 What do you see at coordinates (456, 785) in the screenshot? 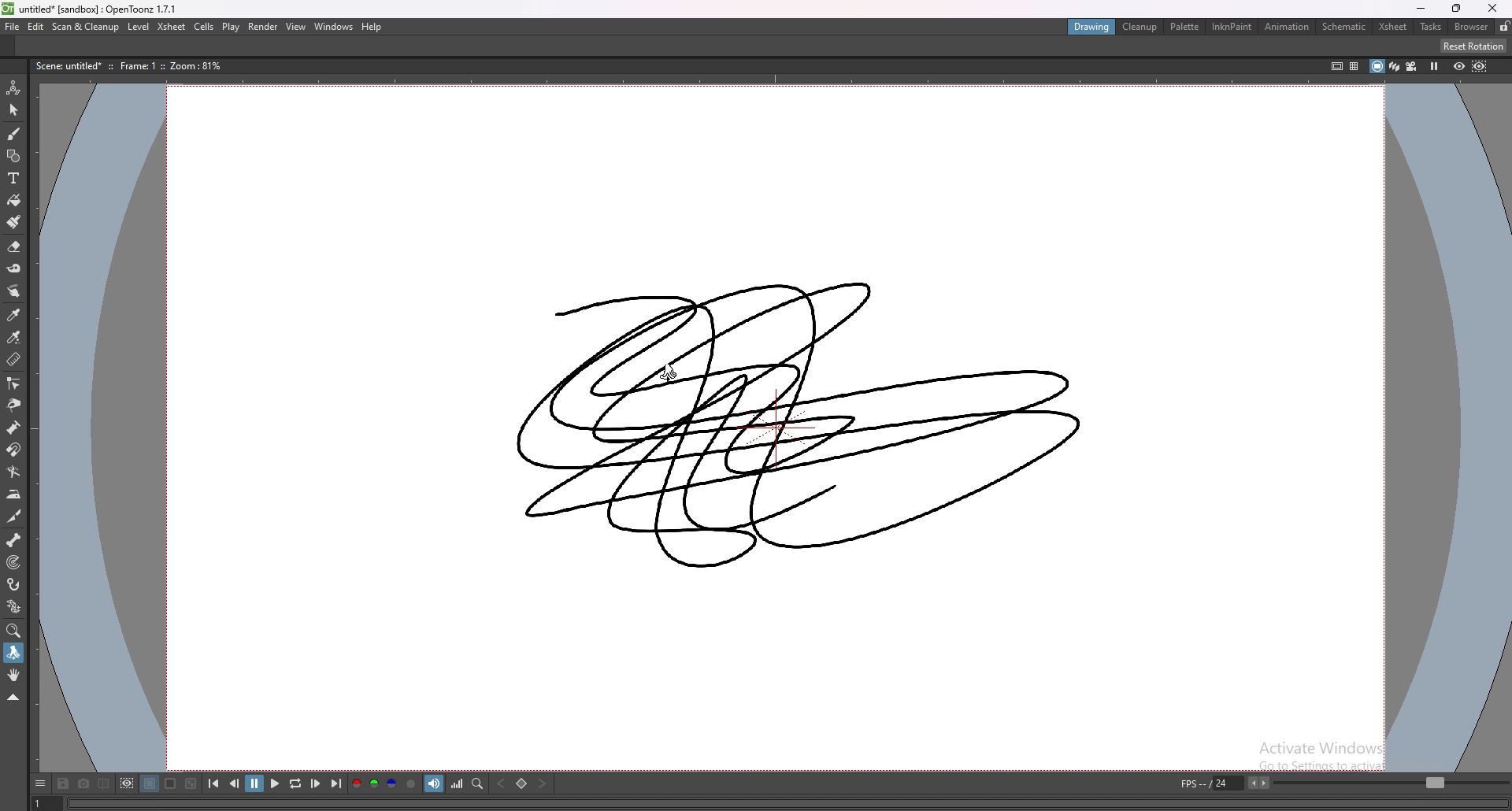
I see `histogram` at bounding box center [456, 785].